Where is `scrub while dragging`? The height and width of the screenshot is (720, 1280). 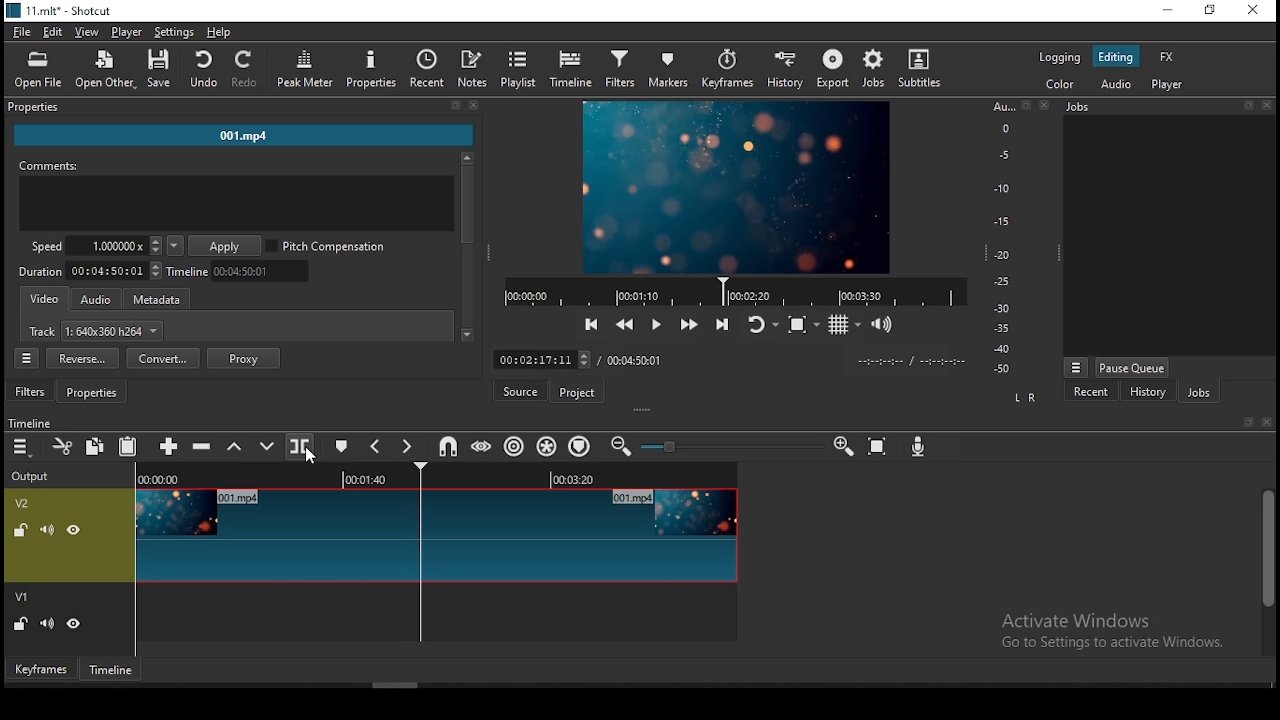
scrub while dragging is located at coordinates (484, 445).